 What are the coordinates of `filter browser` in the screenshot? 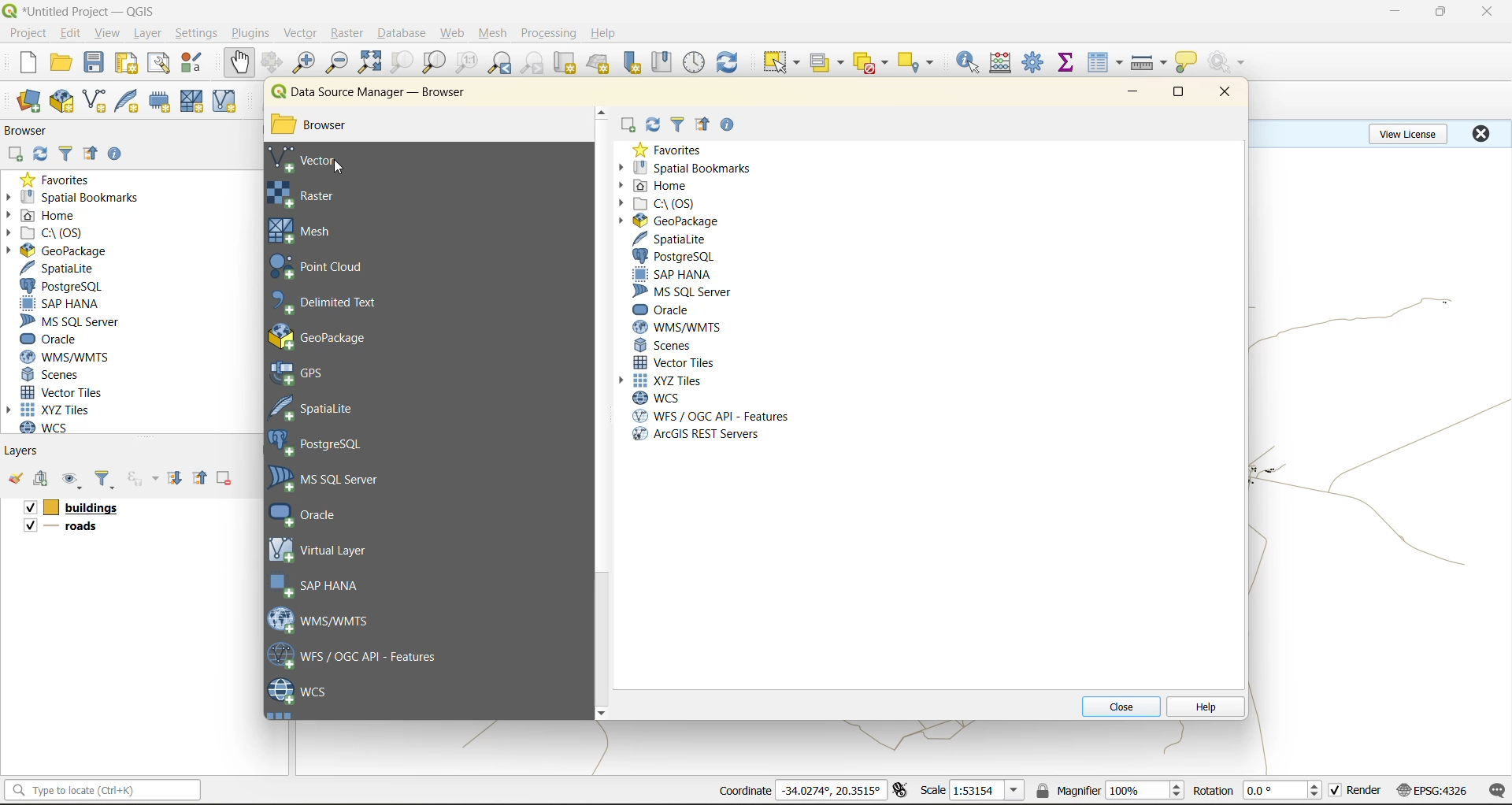 It's located at (679, 126).